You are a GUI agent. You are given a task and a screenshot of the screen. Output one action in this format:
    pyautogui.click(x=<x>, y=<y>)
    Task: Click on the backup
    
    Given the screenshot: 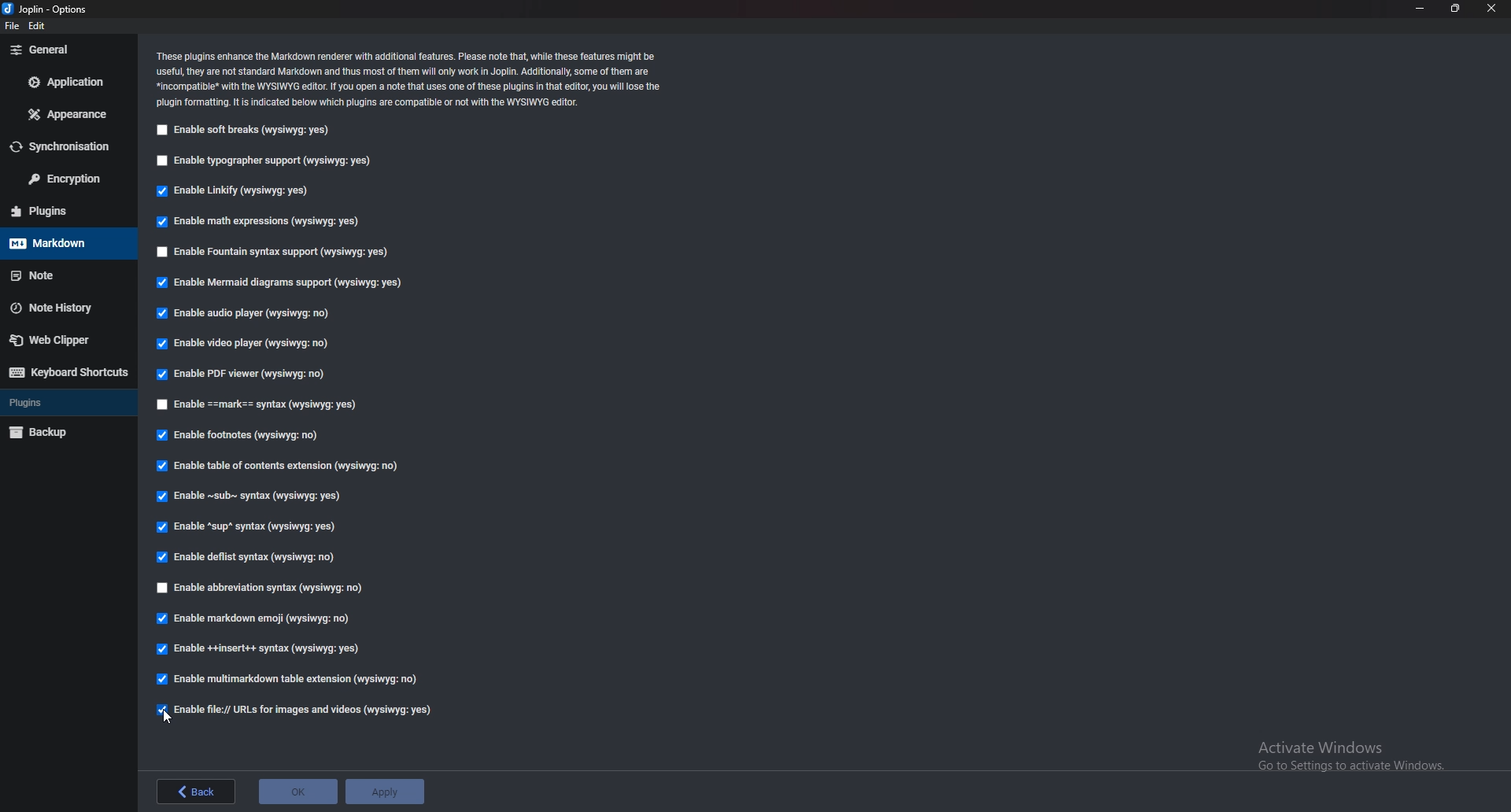 What is the action you would take?
    pyautogui.click(x=59, y=433)
    